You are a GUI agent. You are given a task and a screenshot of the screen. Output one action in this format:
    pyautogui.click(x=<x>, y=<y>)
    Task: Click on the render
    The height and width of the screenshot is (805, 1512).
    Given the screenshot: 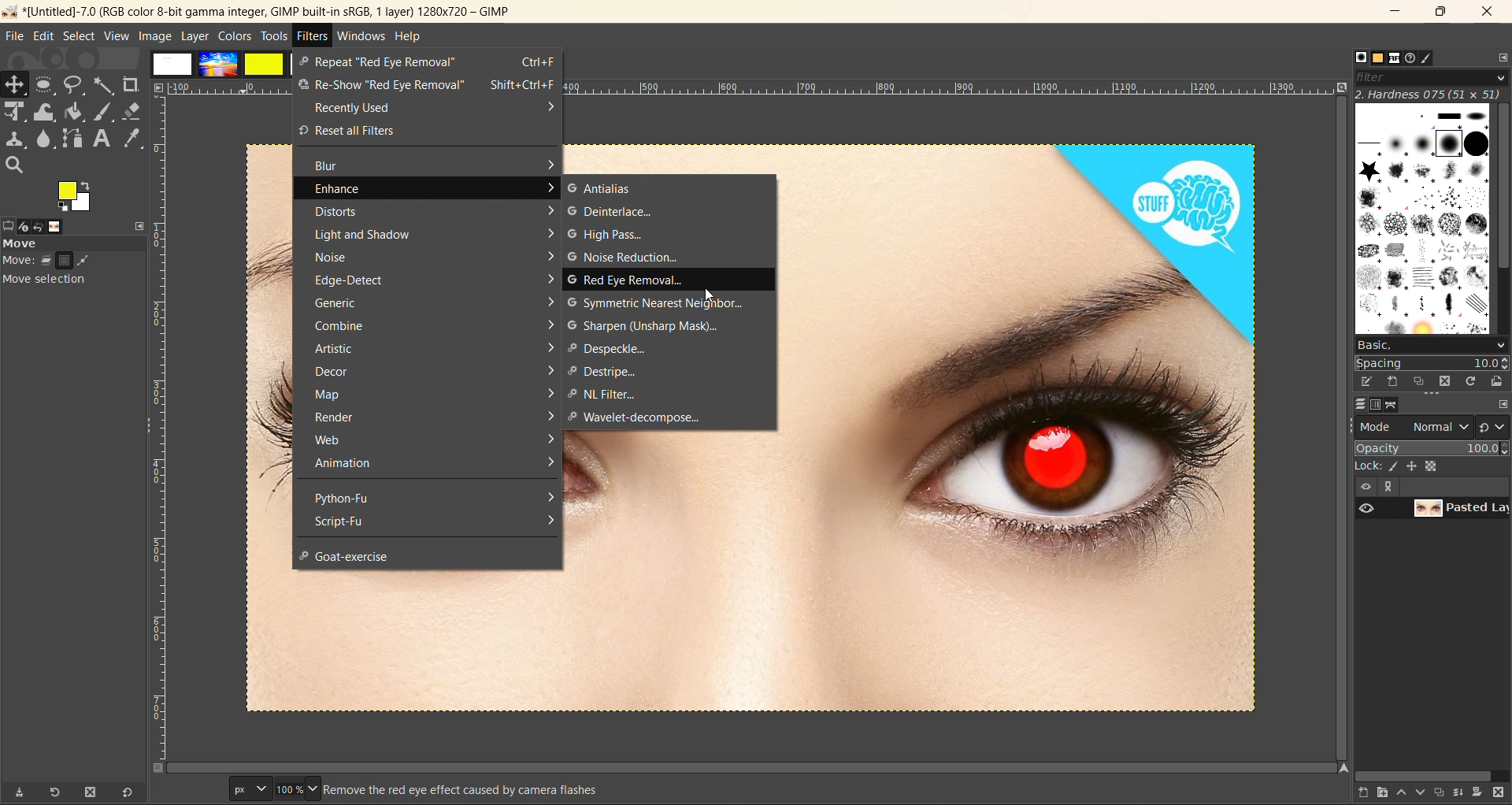 What is the action you would take?
    pyautogui.click(x=432, y=417)
    